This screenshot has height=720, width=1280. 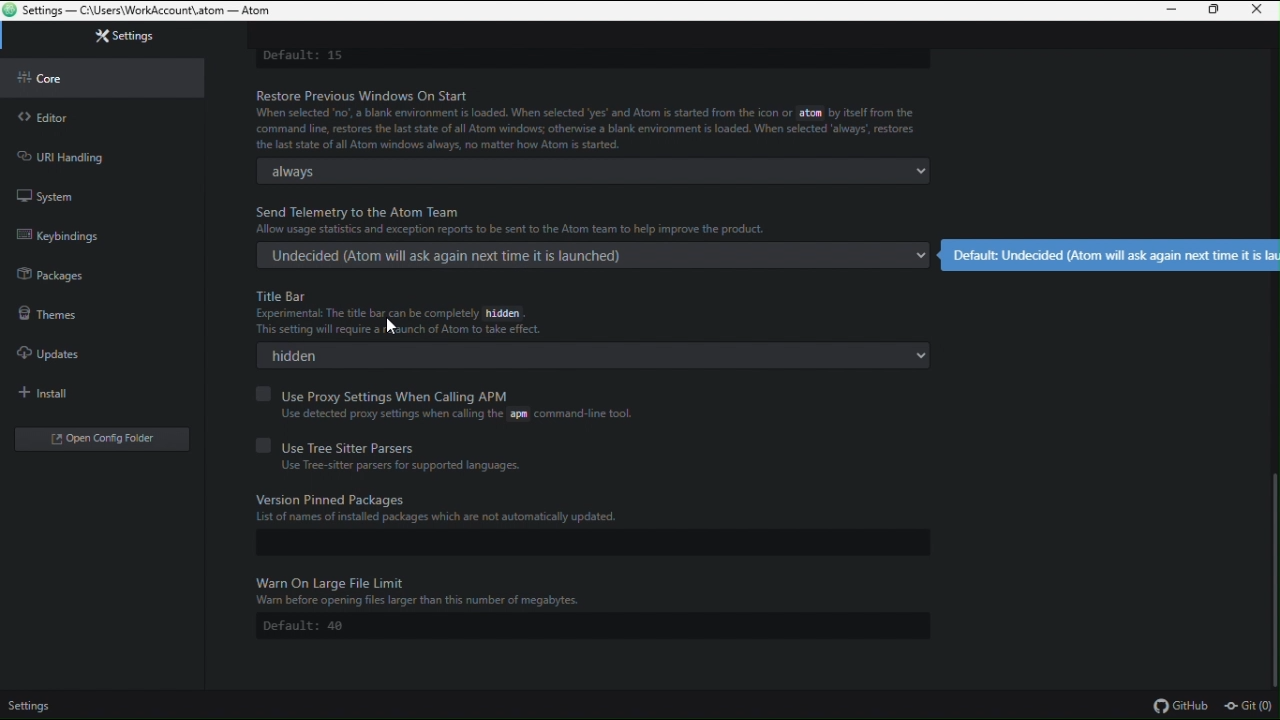 I want to click on hidden , so click(x=594, y=356).